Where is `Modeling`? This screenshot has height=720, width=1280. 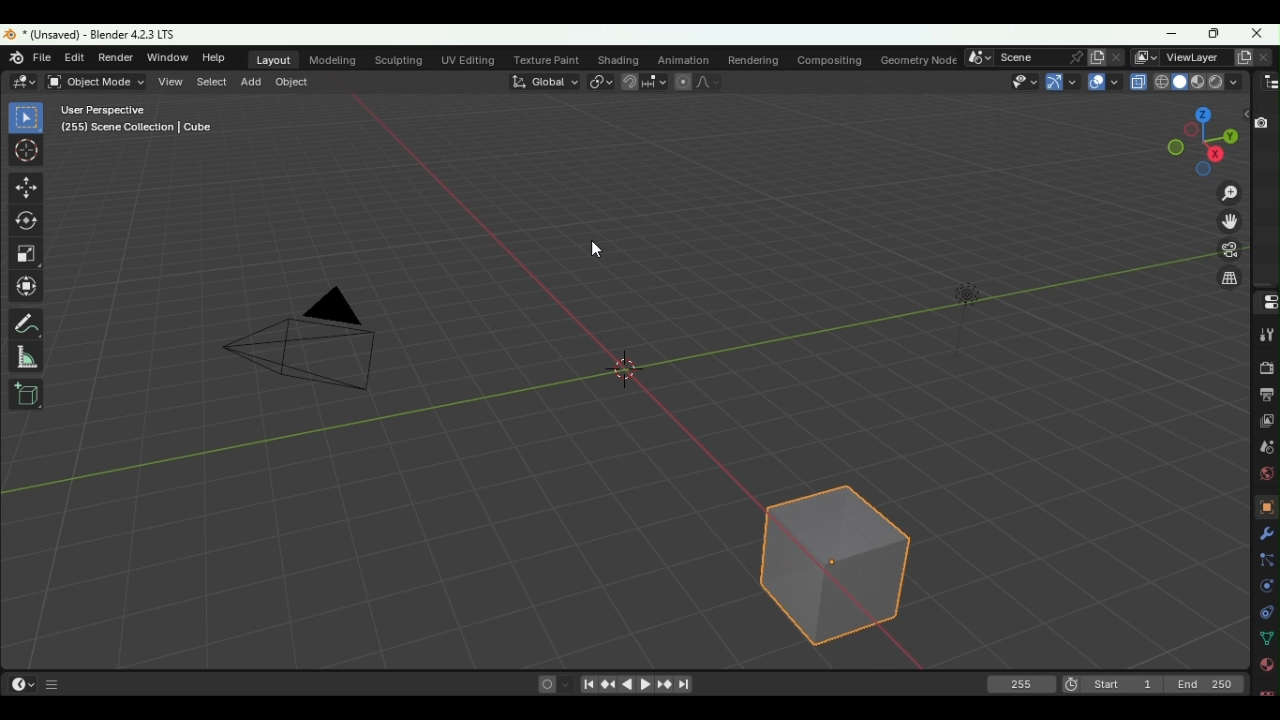
Modeling is located at coordinates (334, 61).